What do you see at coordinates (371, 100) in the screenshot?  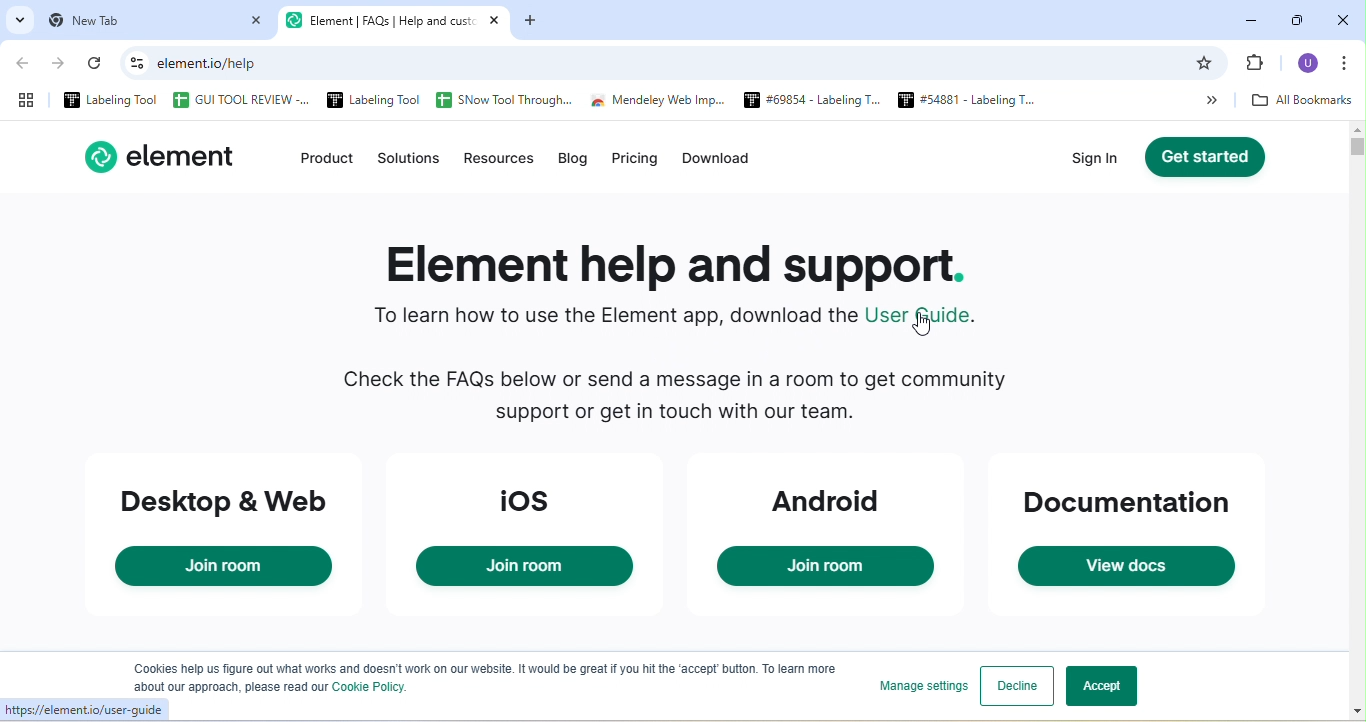 I see `Labeling Tool` at bounding box center [371, 100].